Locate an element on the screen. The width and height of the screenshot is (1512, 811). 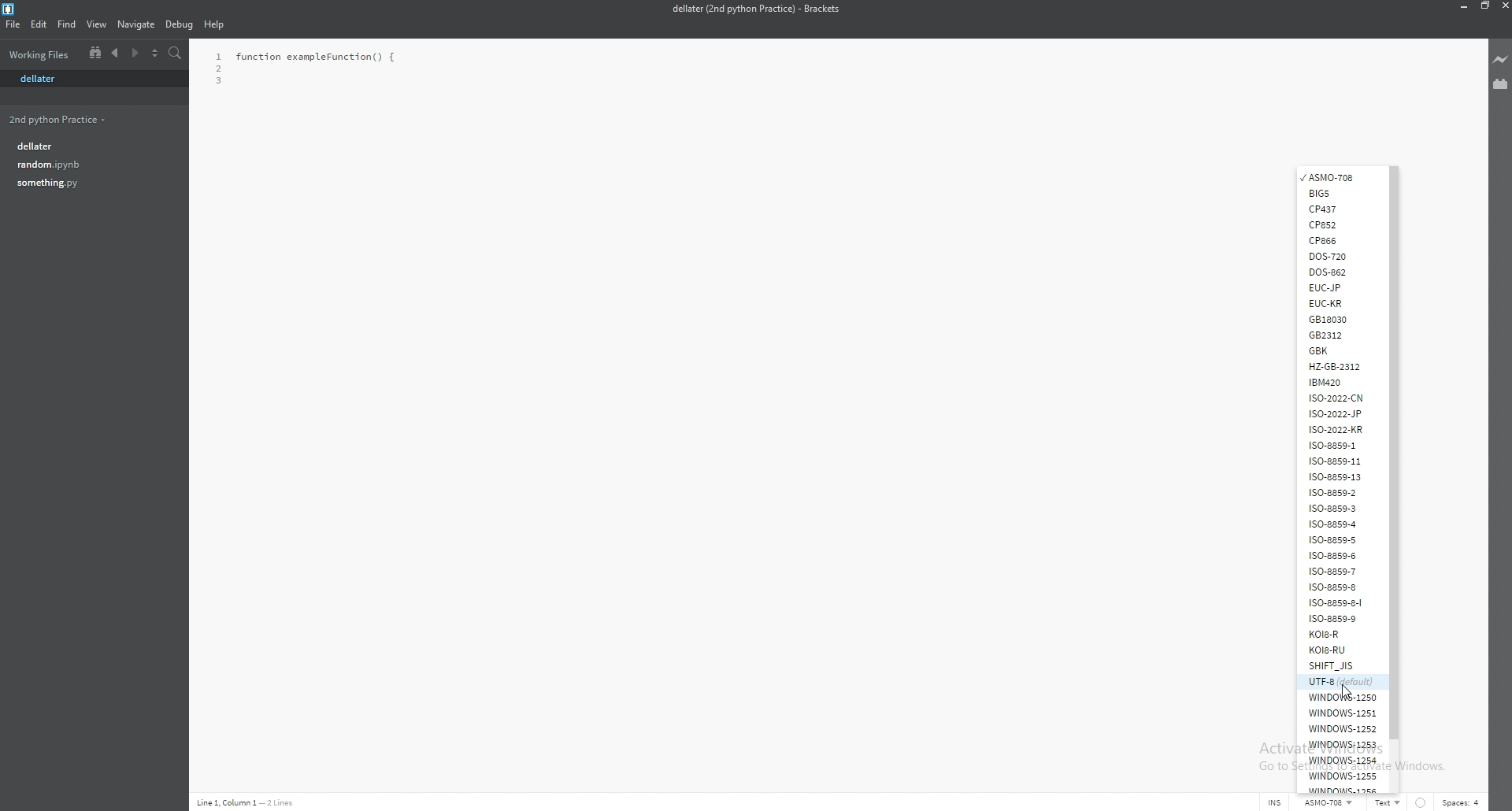
resize is located at coordinates (1485, 6).